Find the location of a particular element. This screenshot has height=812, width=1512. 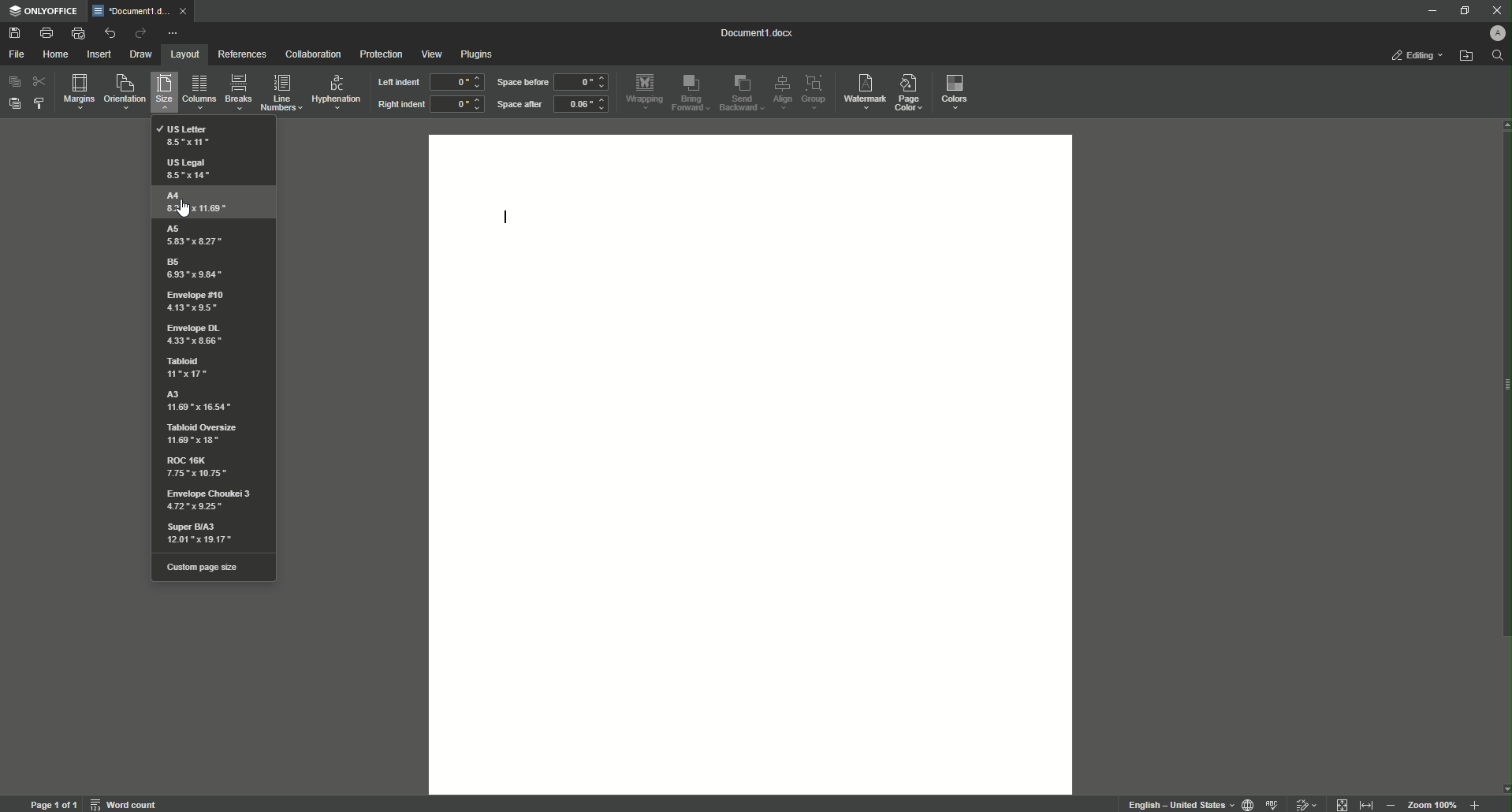

Page 1 of 1 is located at coordinates (51, 804).